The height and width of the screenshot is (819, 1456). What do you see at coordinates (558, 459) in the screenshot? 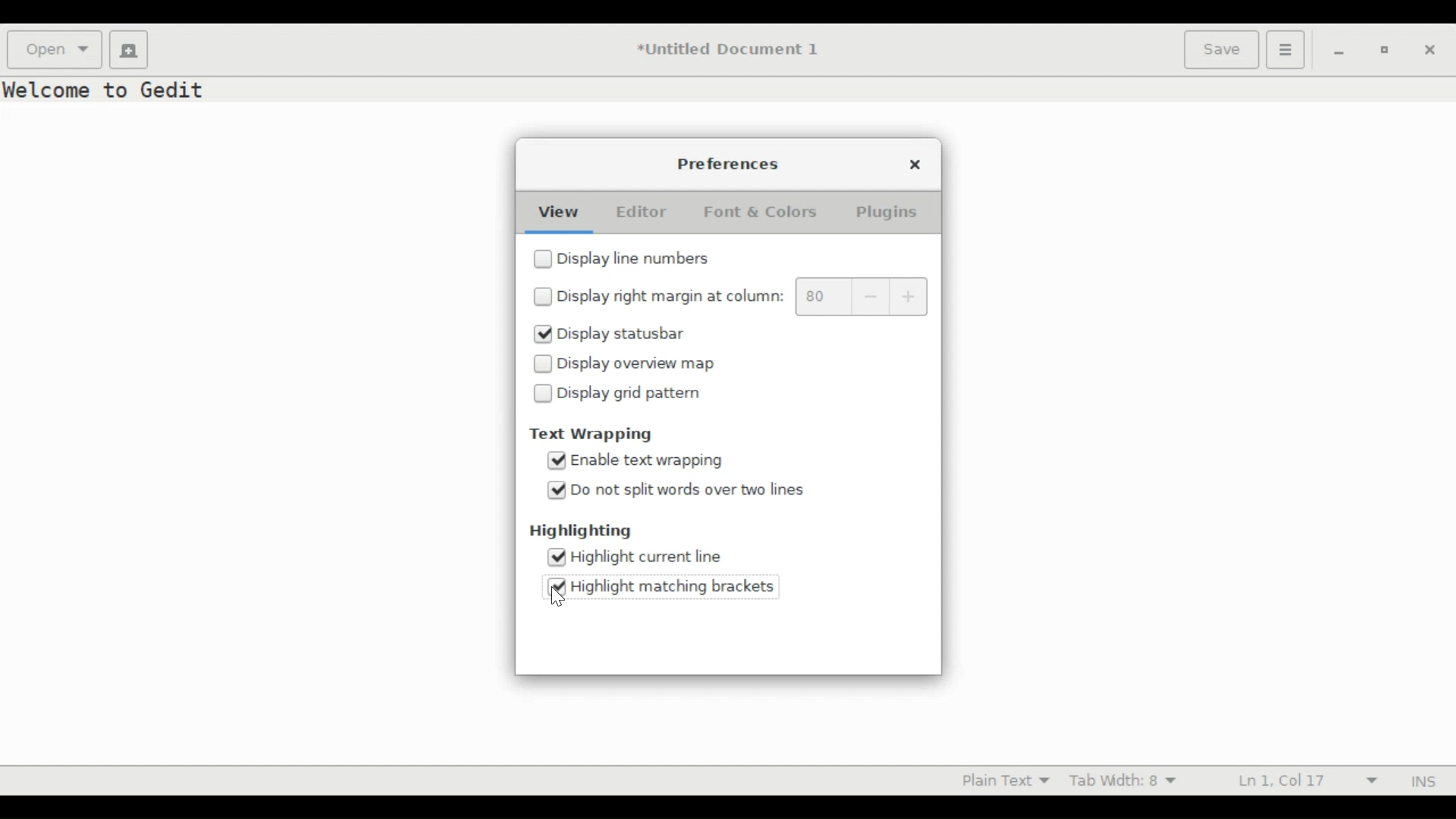
I see `checked checkbox` at bounding box center [558, 459].